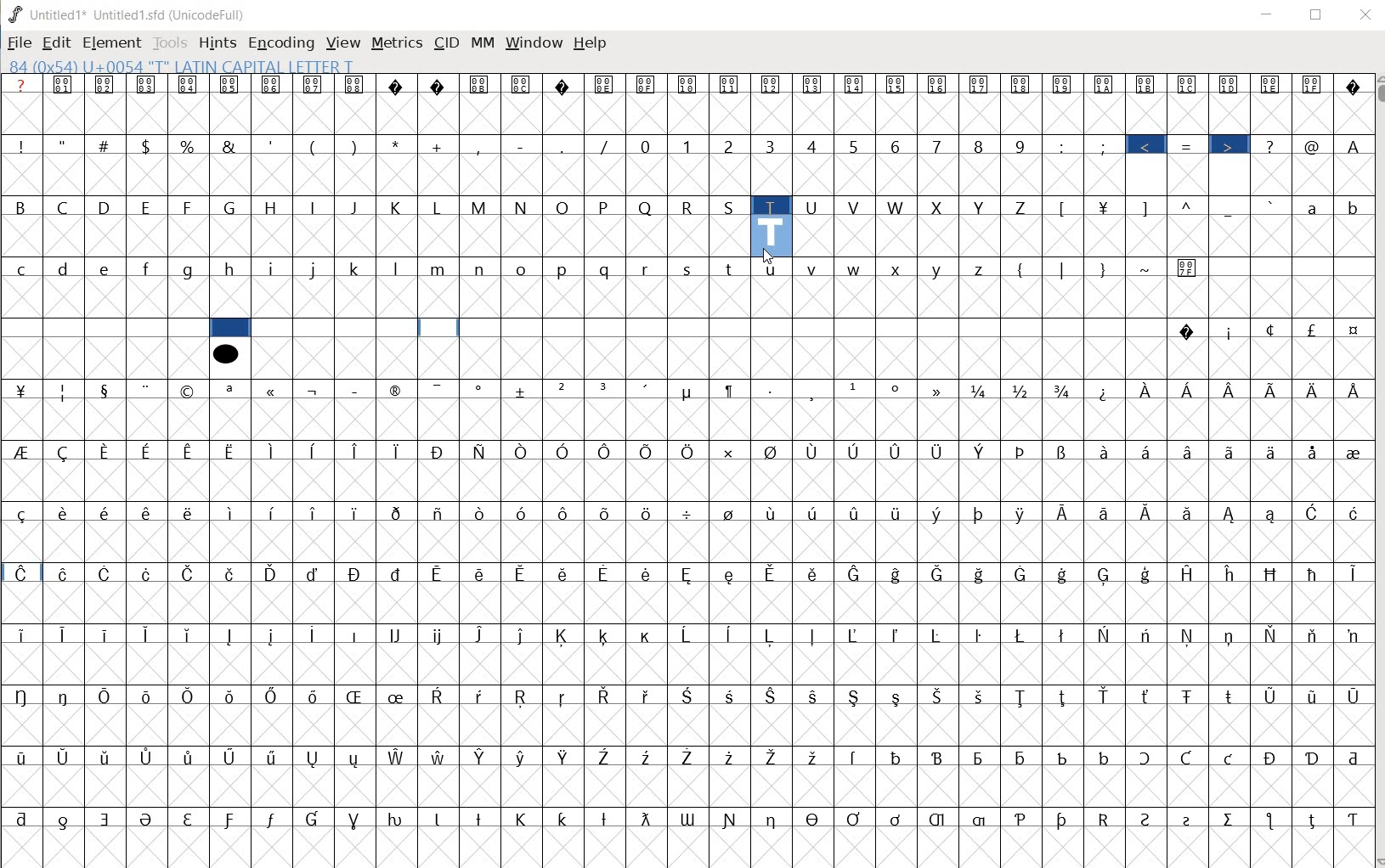 The image size is (1385, 868). What do you see at coordinates (772, 205) in the screenshot?
I see `T` at bounding box center [772, 205].